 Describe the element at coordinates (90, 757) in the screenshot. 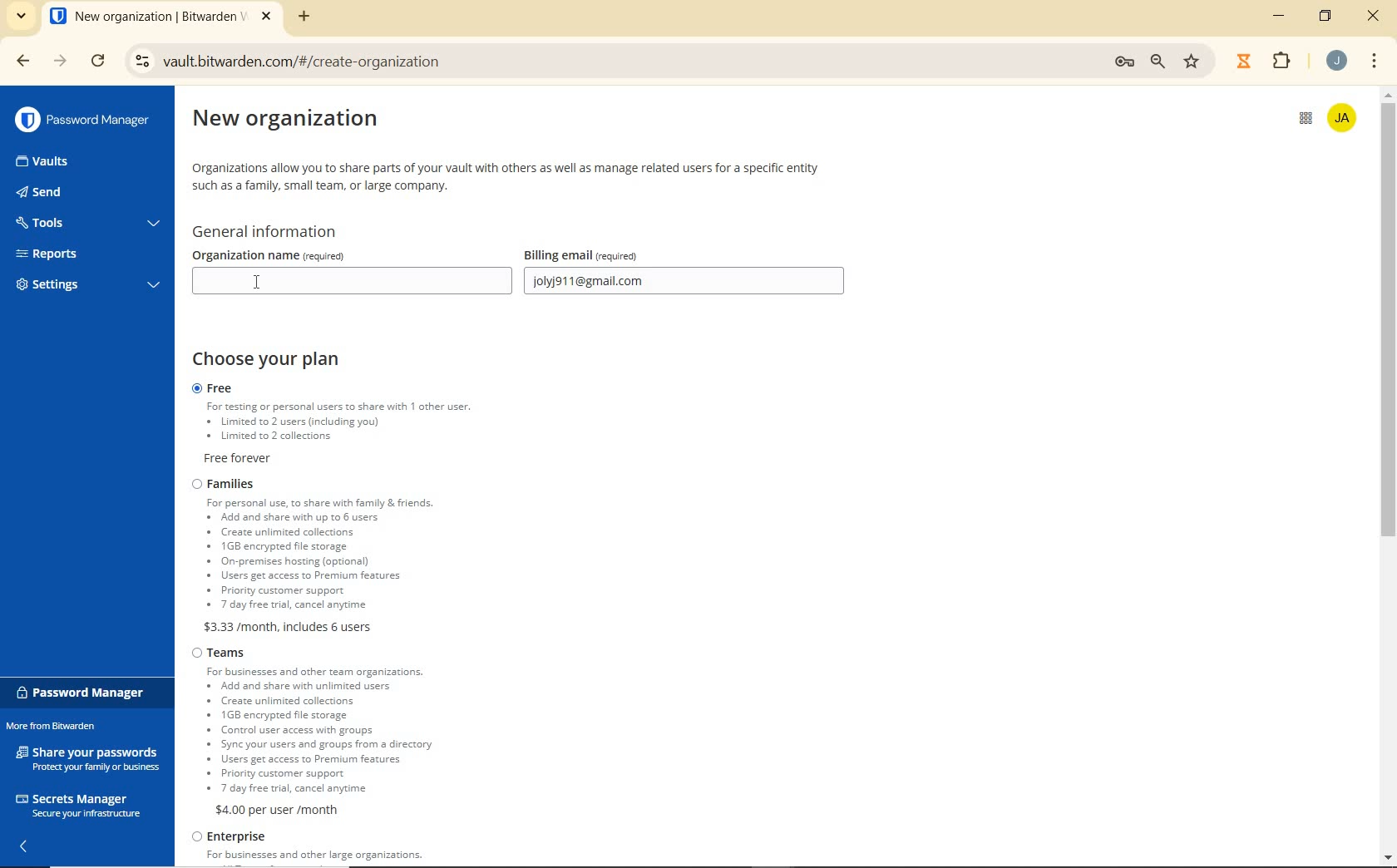

I see `share your passwords` at that location.